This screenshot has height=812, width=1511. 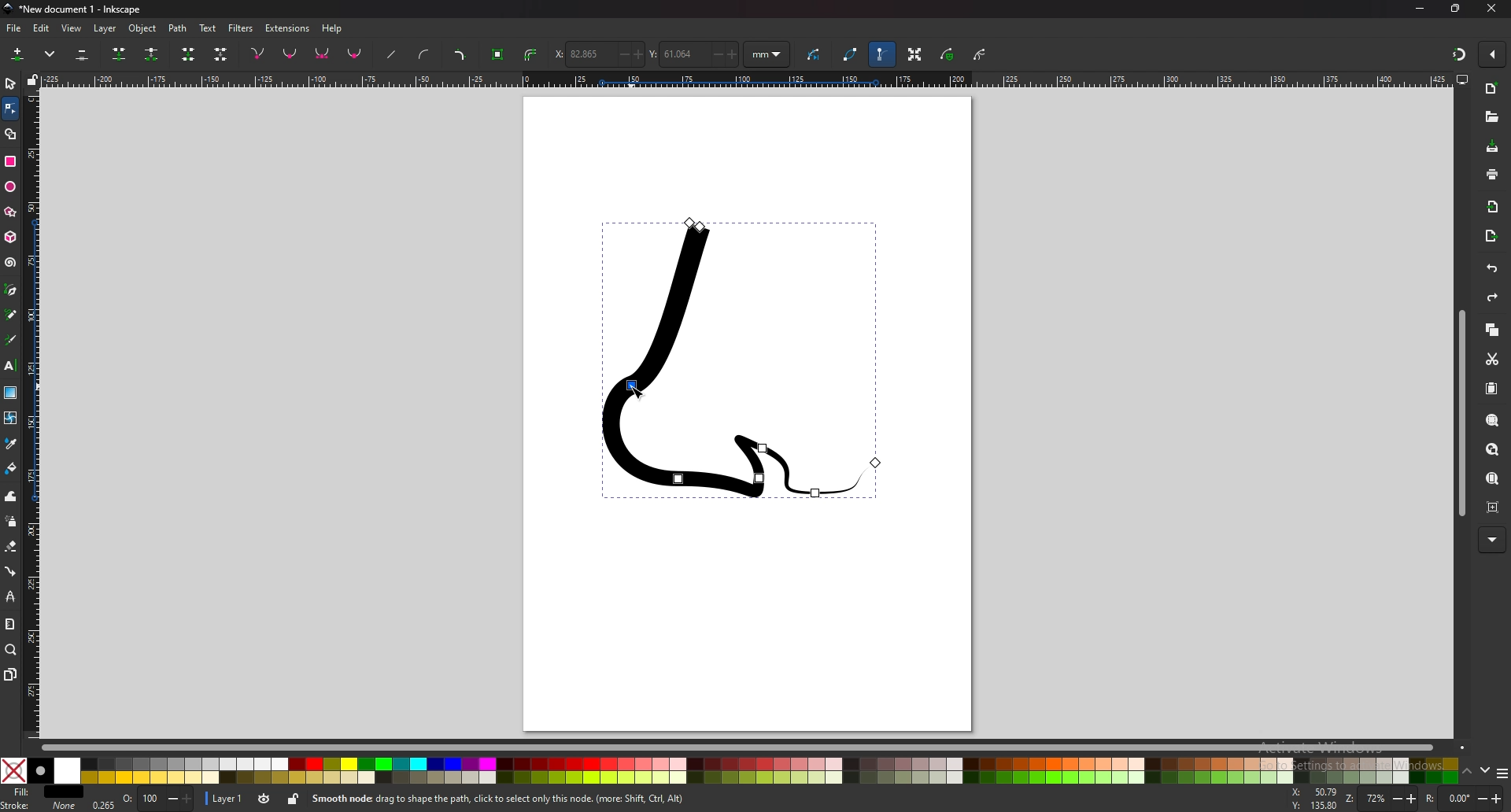 What do you see at coordinates (222, 55) in the screenshot?
I see `delete segment between two non endpoint nodes` at bounding box center [222, 55].